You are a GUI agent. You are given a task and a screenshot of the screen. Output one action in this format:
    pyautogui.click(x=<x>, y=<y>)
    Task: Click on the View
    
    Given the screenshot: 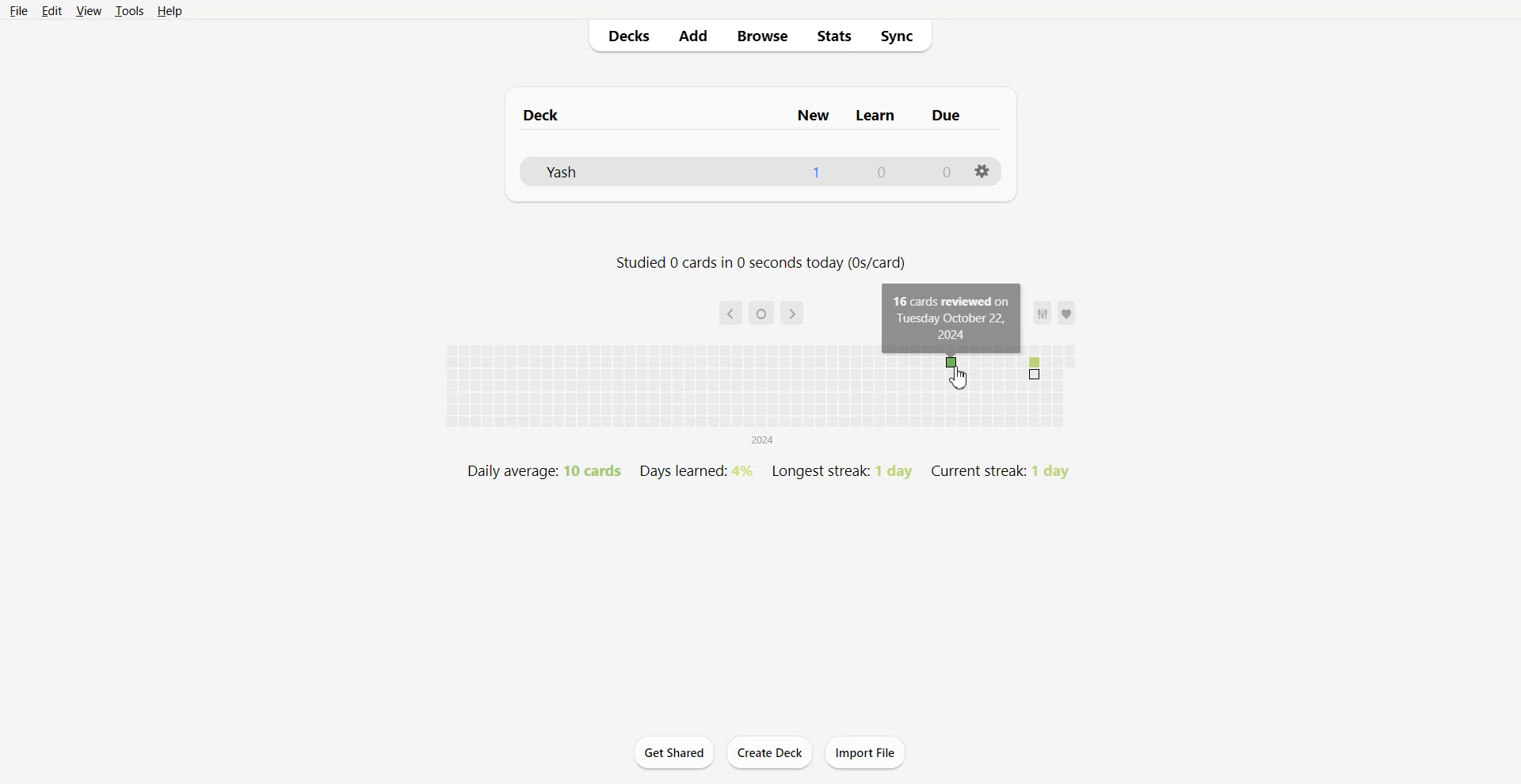 What is the action you would take?
    pyautogui.click(x=88, y=11)
    